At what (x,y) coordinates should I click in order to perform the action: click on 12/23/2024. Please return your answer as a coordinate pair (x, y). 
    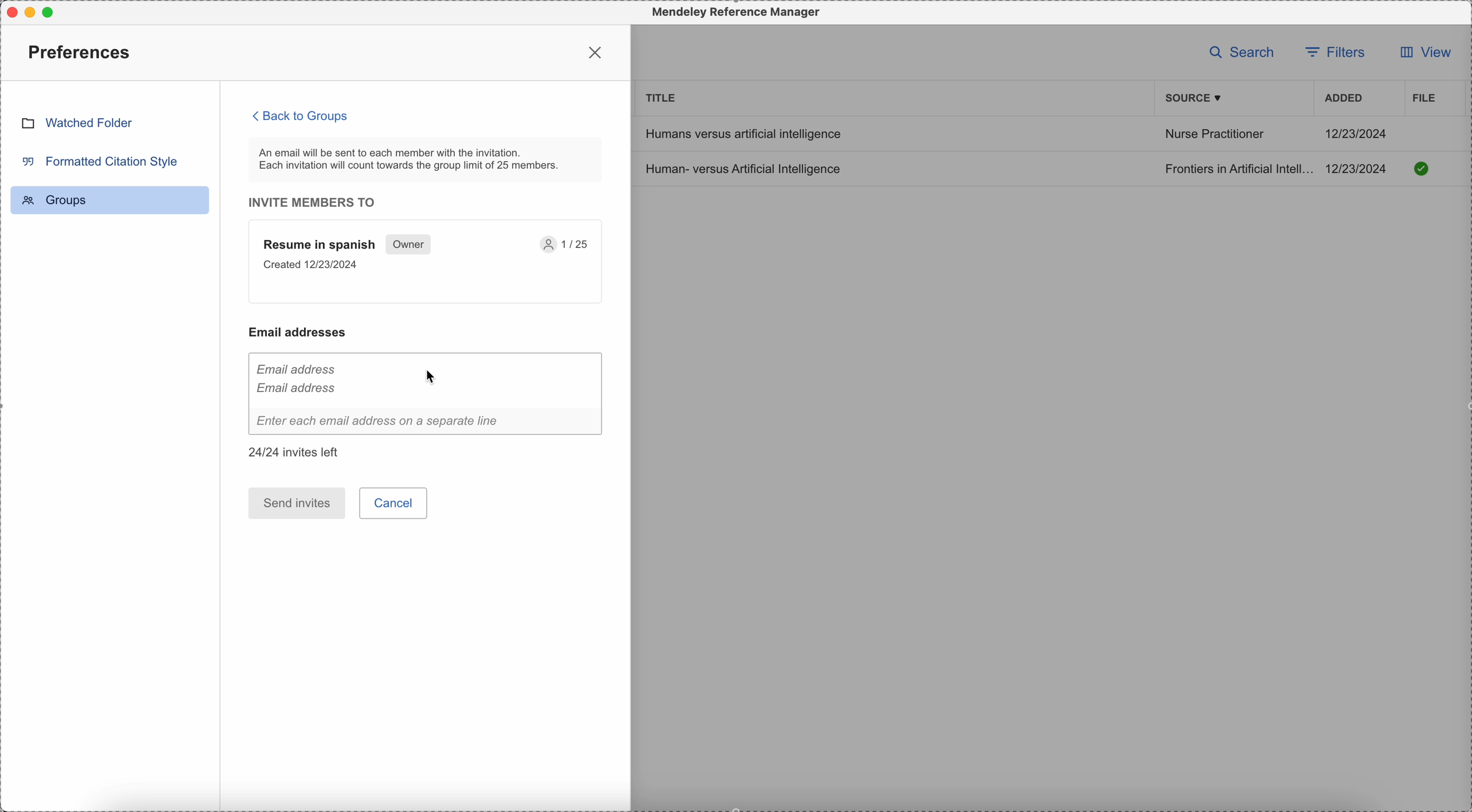
    Looking at the image, I should click on (1357, 133).